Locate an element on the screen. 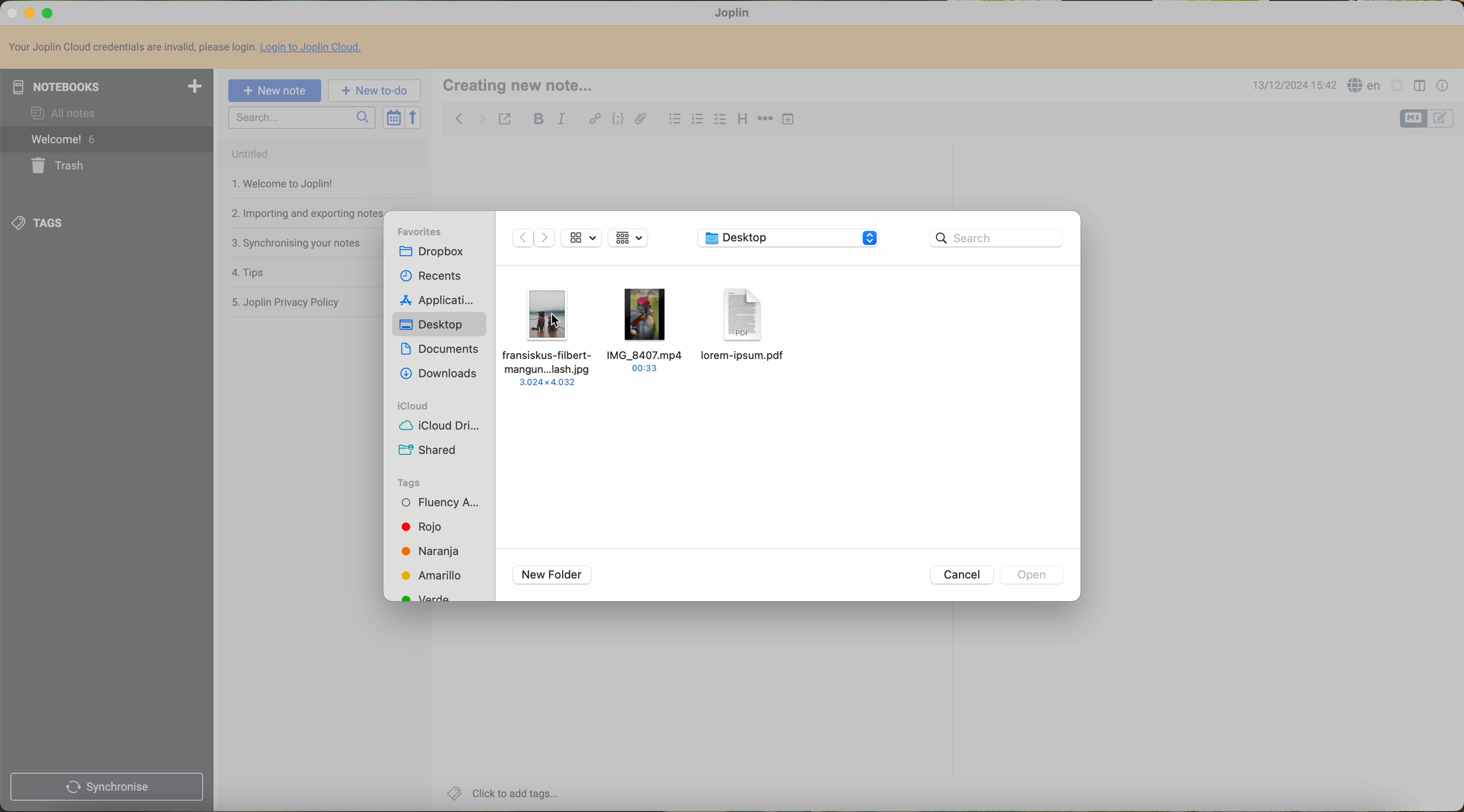  Joplin privacy policy is located at coordinates (285, 301).